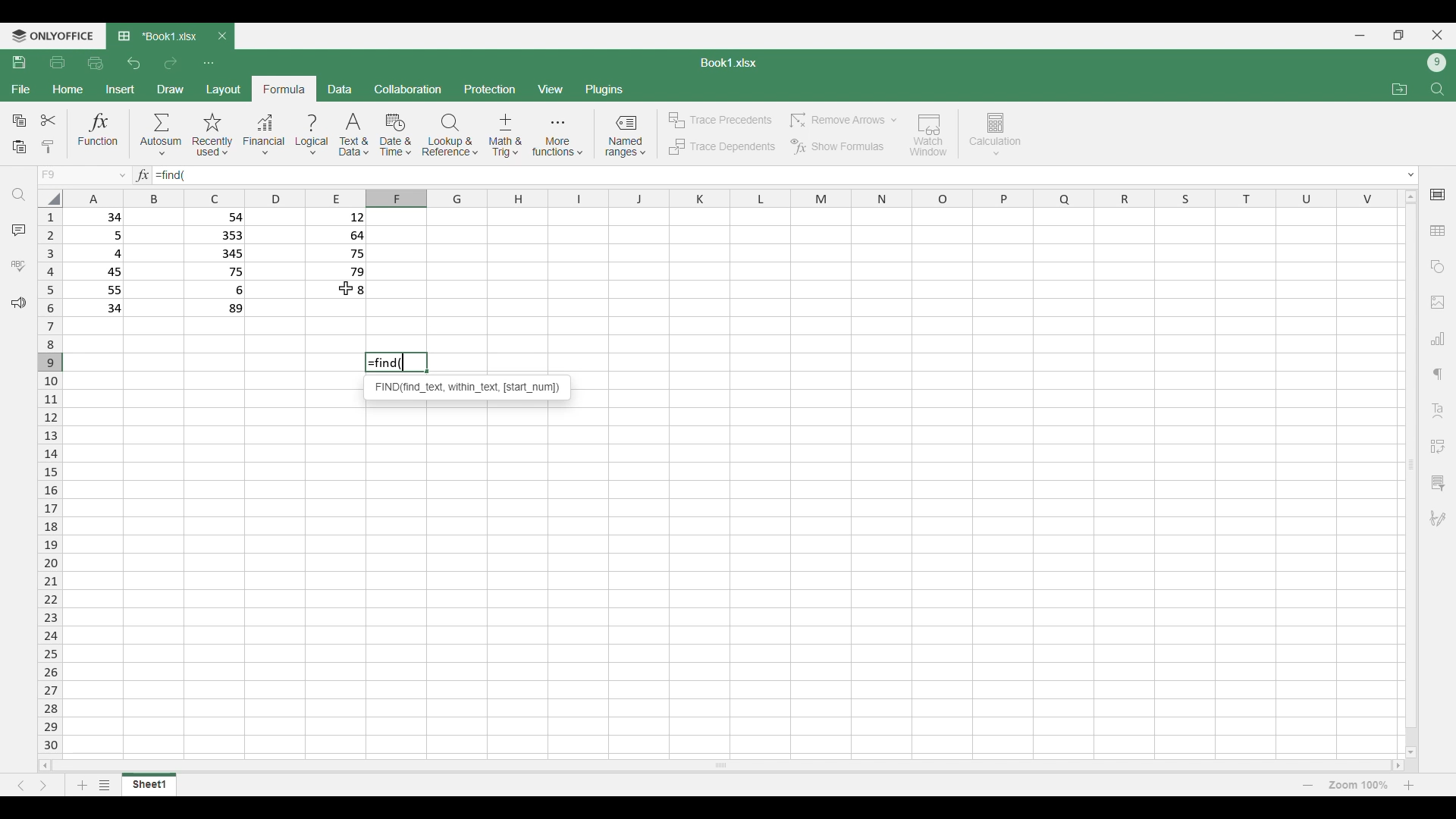 This screenshot has height=819, width=1456. What do you see at coordinates (105, 785) in the screenshot?
I see `List of sheets` at bounding box center [105, 785].